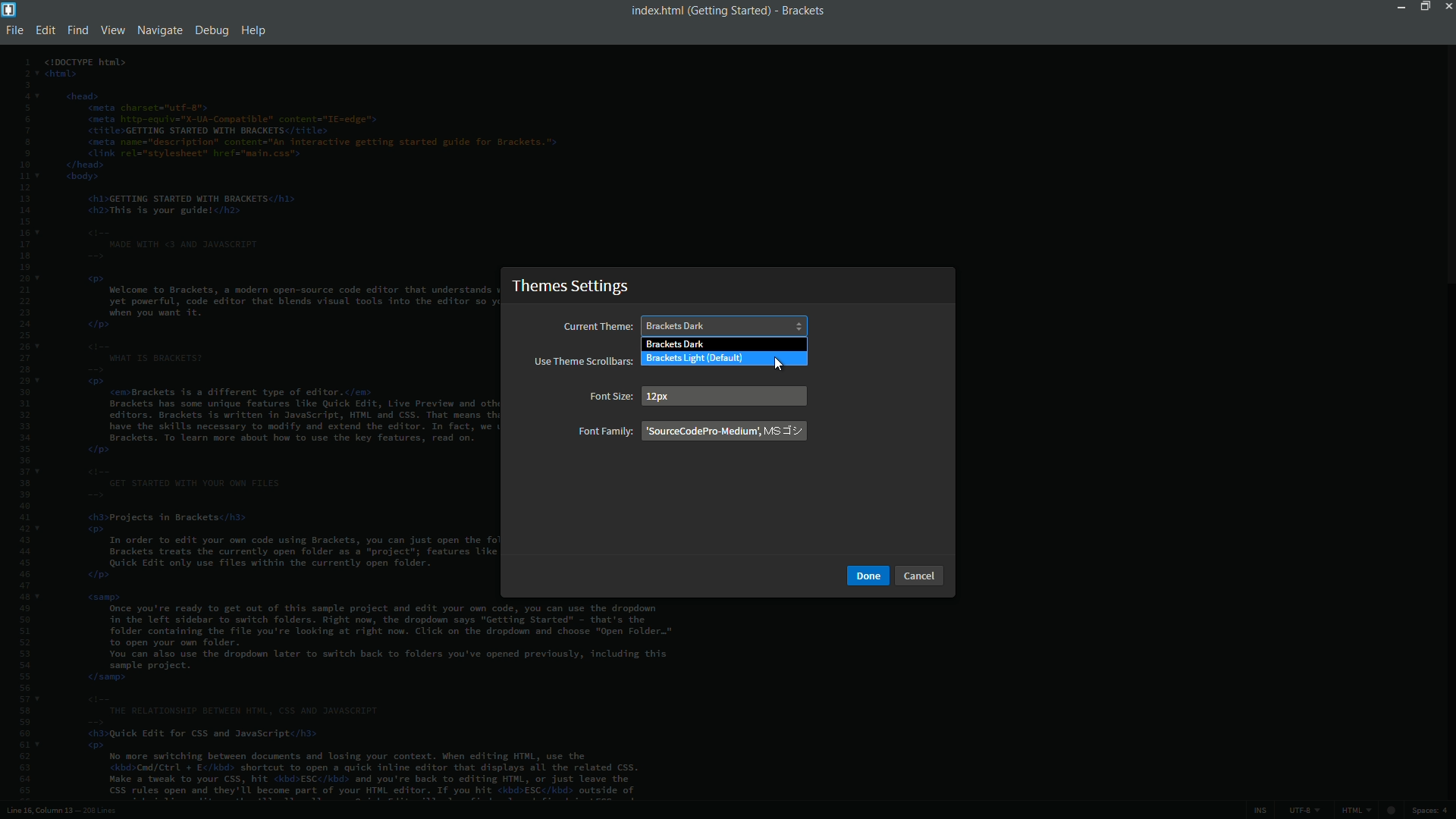 The width and height of the screenshot is (1456, 819). Describe the element at coordinates (45, 31) in the screenshot. I see `edit menu` at that location.